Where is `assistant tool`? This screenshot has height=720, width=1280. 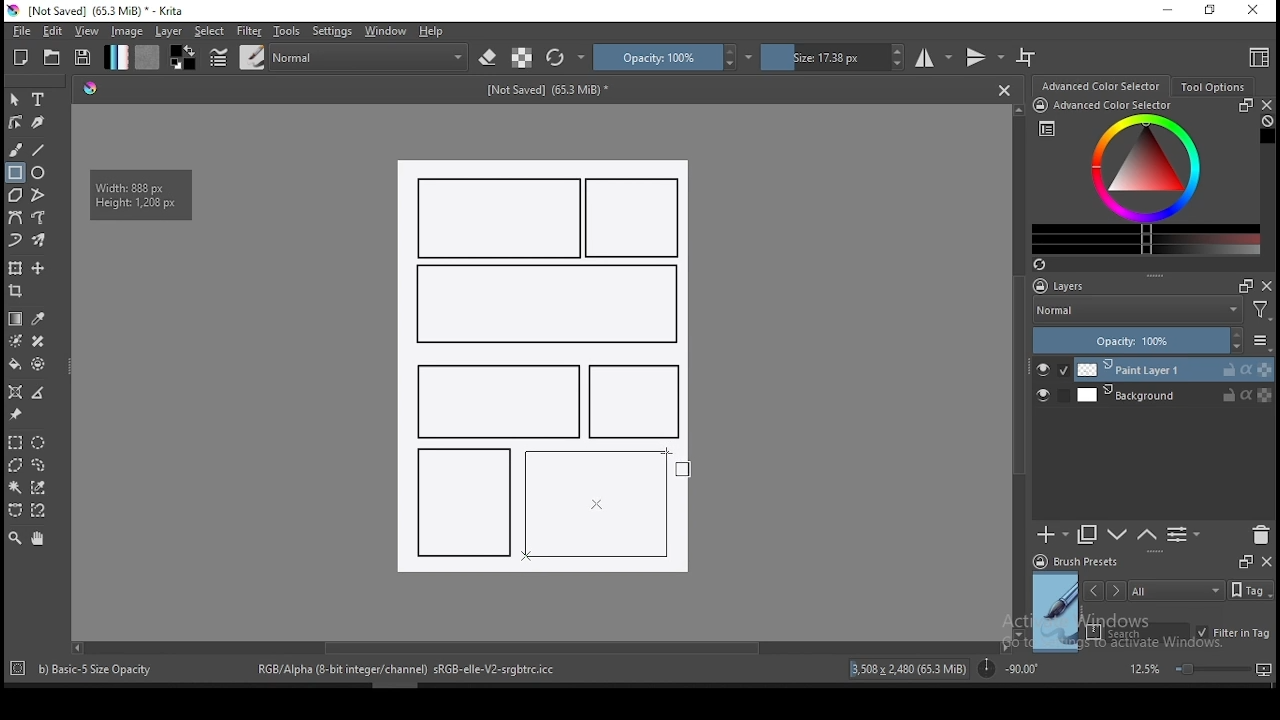 assistant tool is located at coordinates (15, 392).